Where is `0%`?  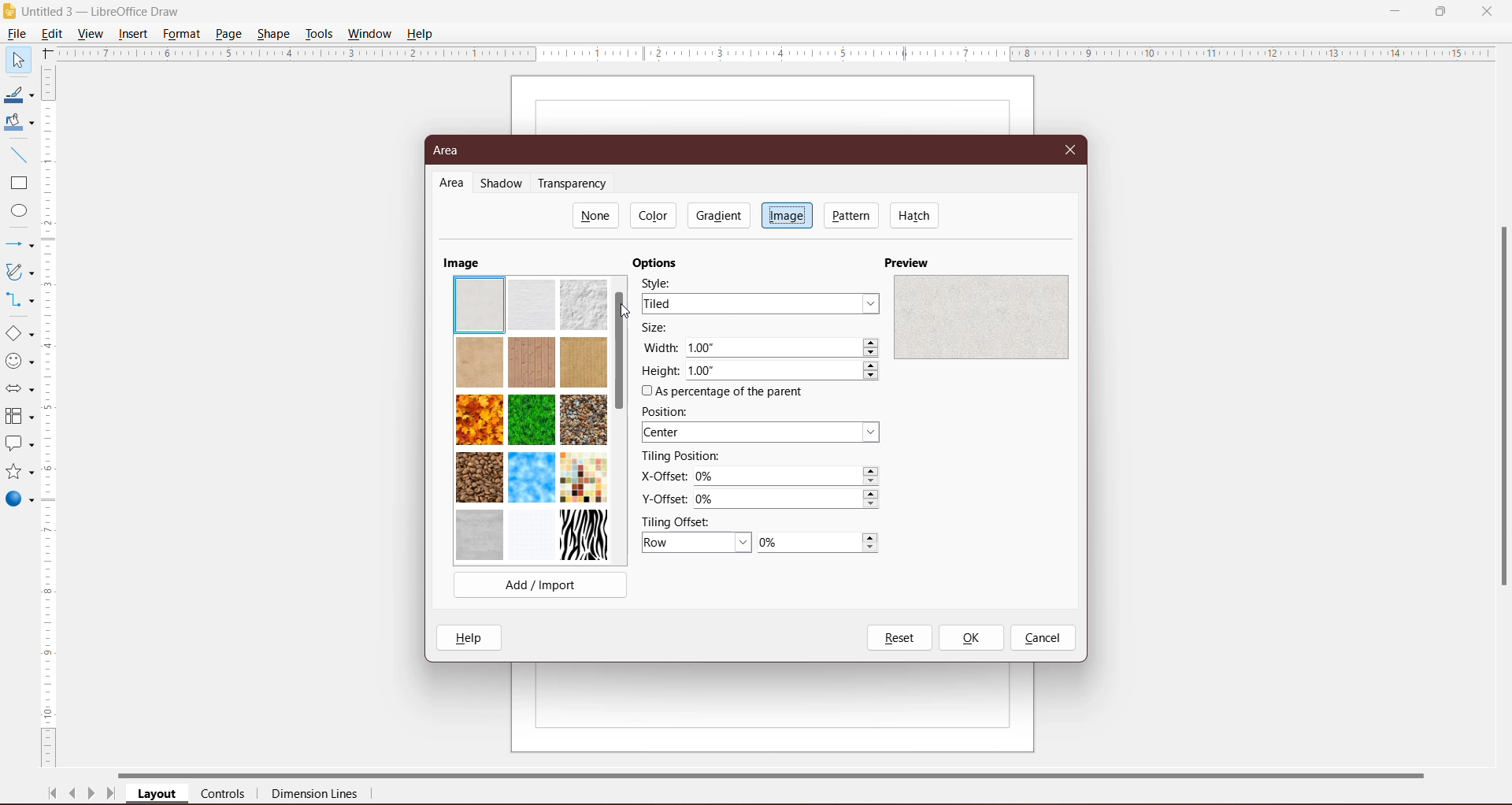
0% is located at coordinates (817, 543).